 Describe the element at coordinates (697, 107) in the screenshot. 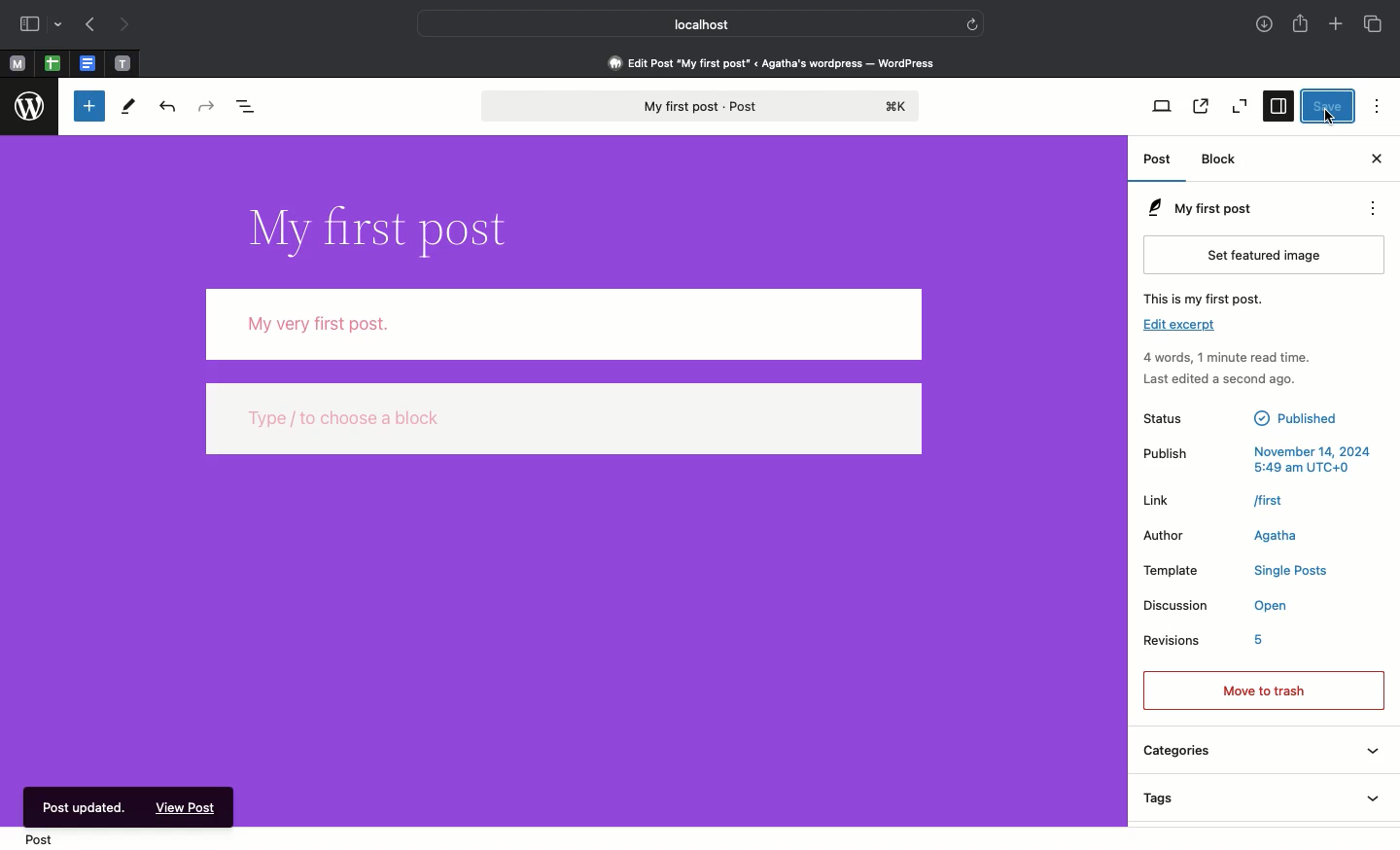

I see `My first post` at that location.